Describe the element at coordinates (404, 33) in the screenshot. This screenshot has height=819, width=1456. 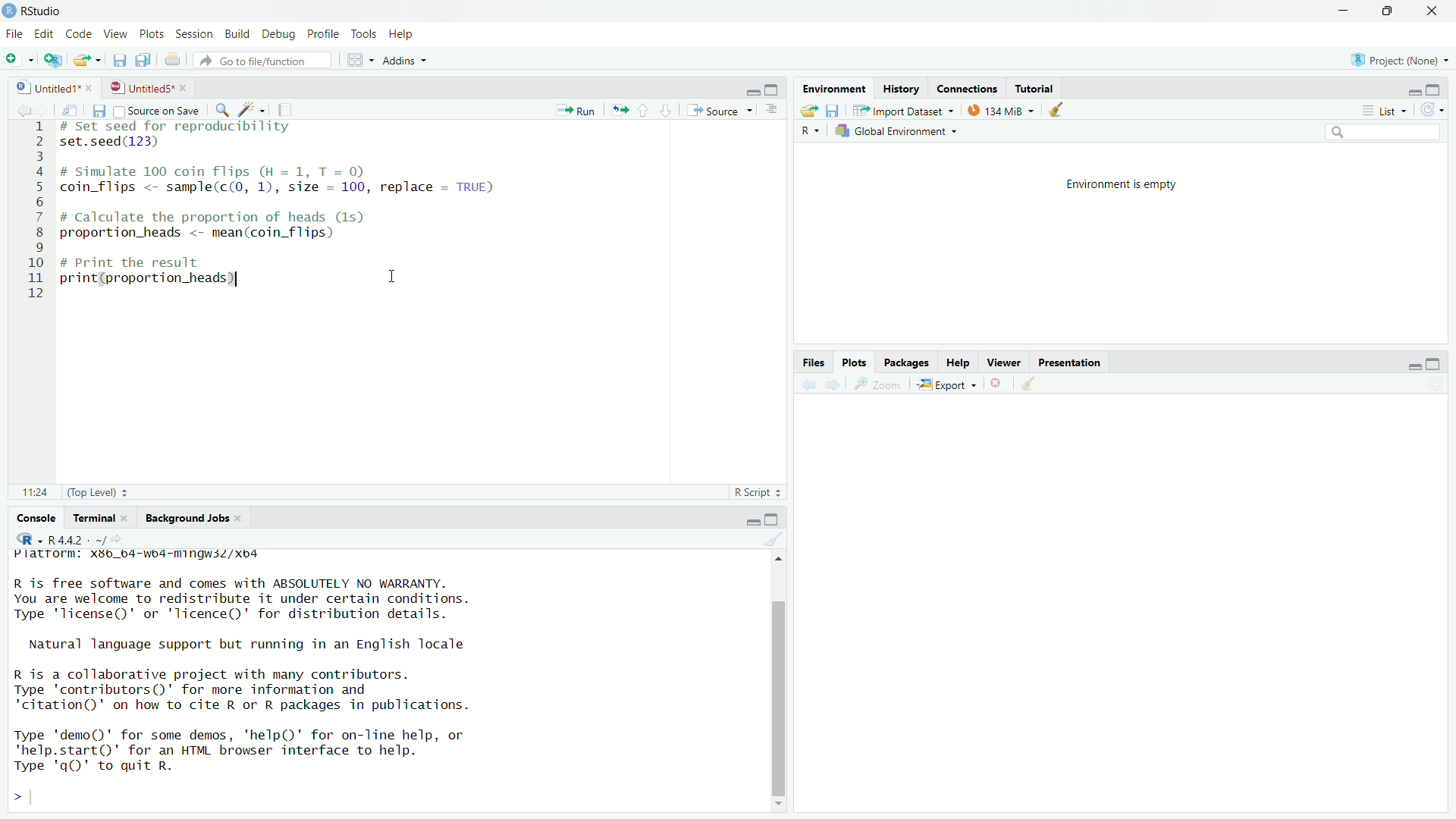
I see `help` at that location.